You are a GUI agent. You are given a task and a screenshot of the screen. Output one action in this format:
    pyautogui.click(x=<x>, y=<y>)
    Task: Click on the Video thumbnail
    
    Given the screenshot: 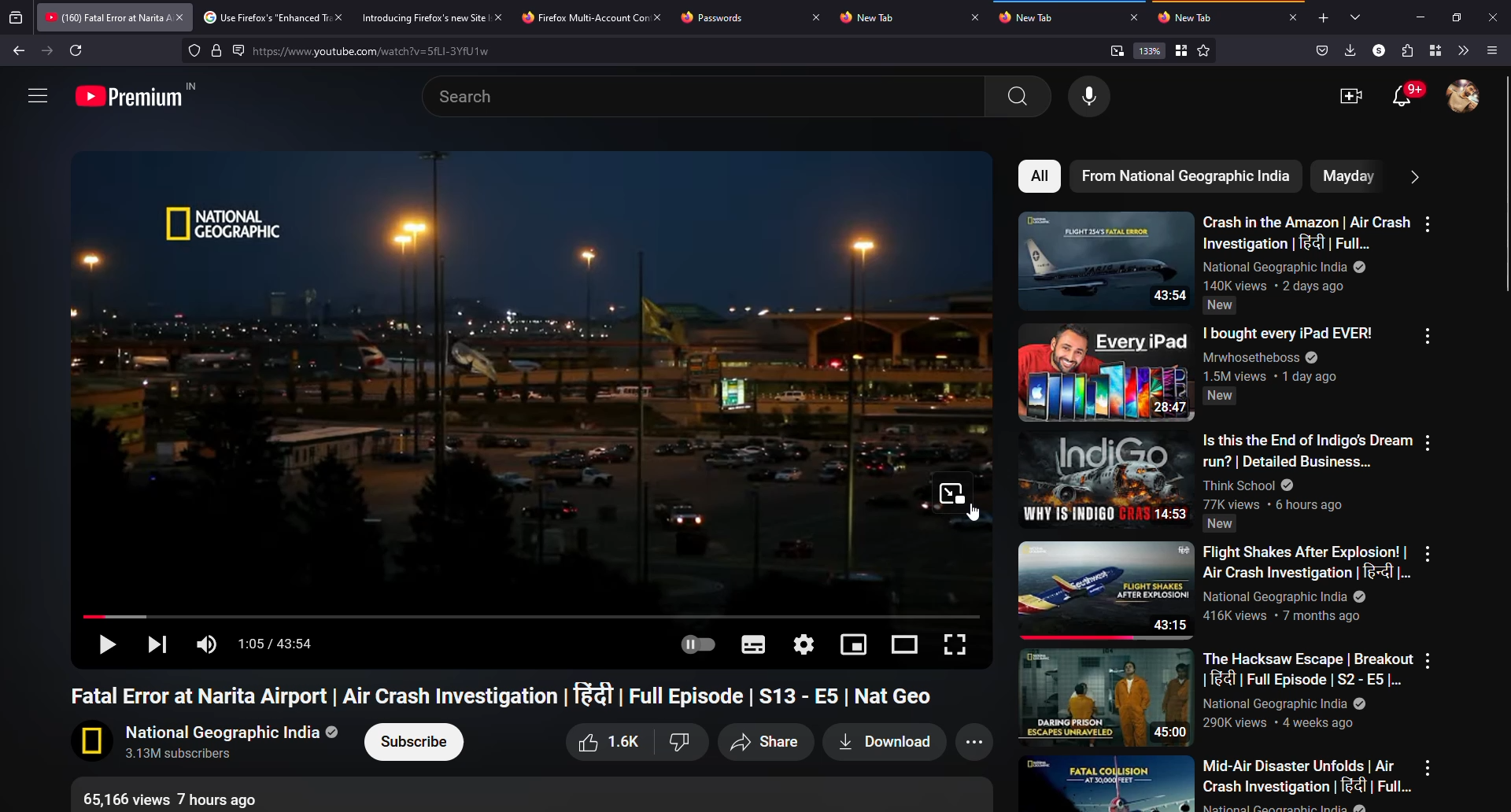 What is the action you would take?
    pyautogui.click(x=1106, y=783)
    